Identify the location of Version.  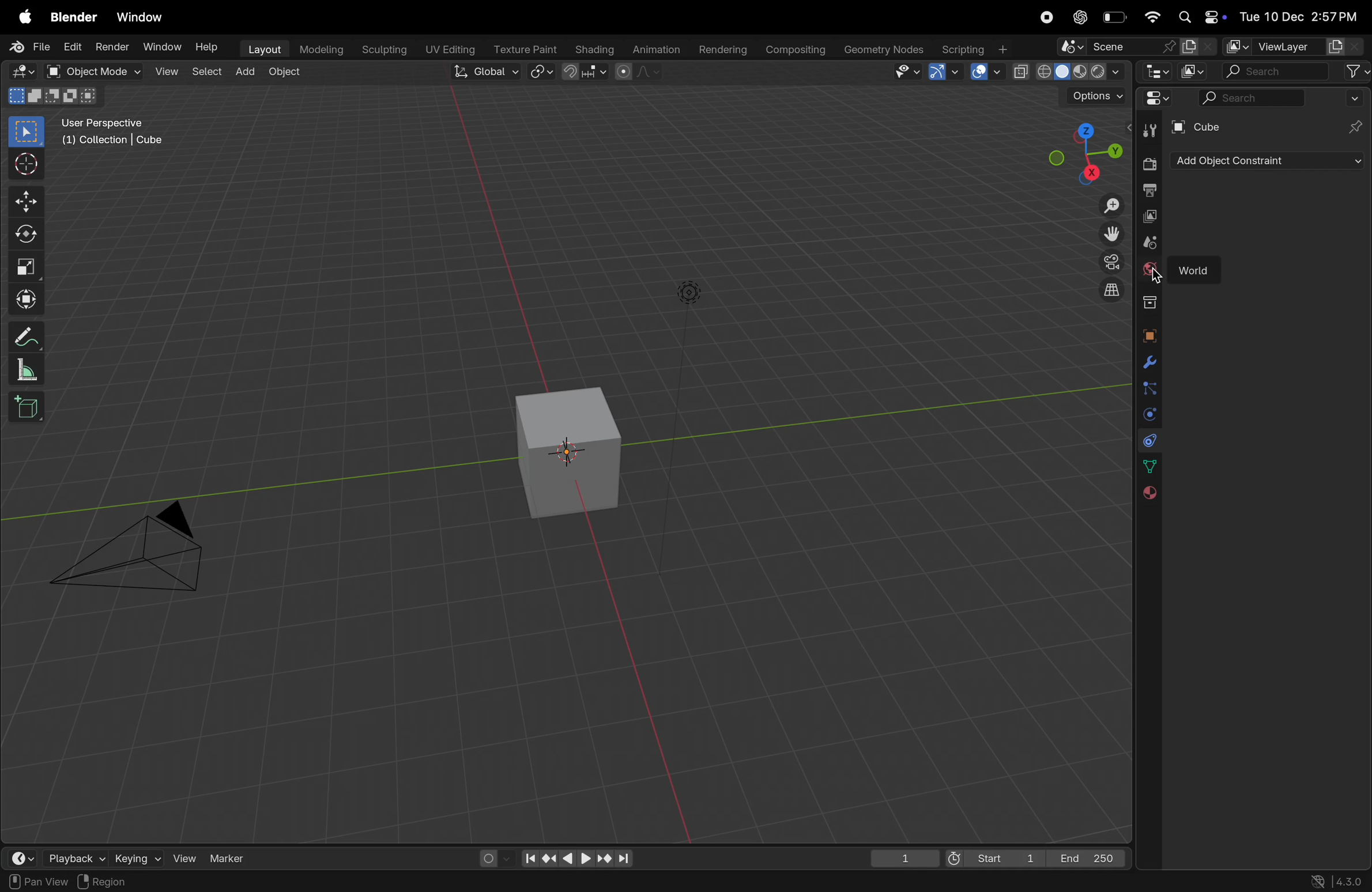
(1339, 880).